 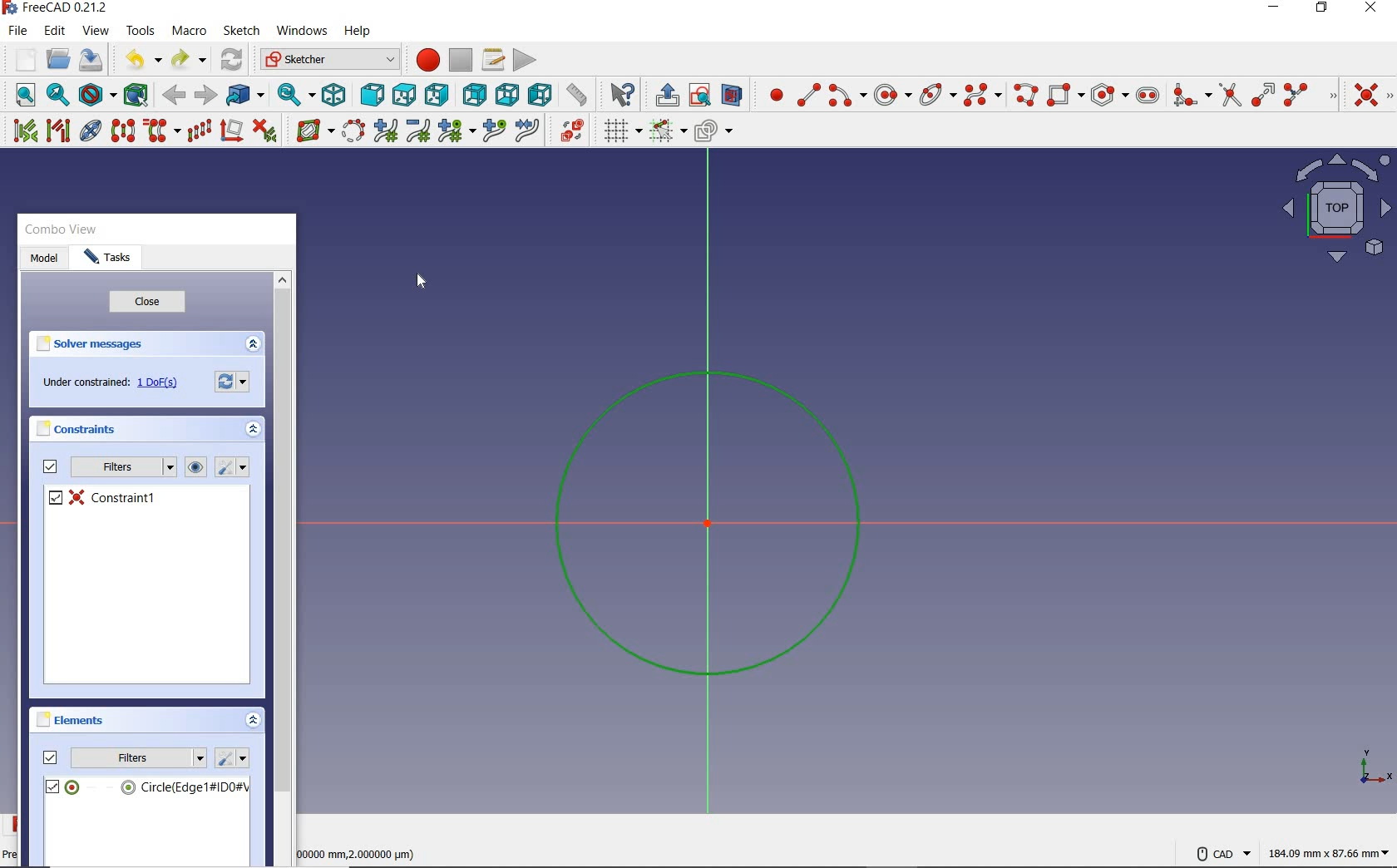 I want to click on toggle grid, so click(x=618, y=131).